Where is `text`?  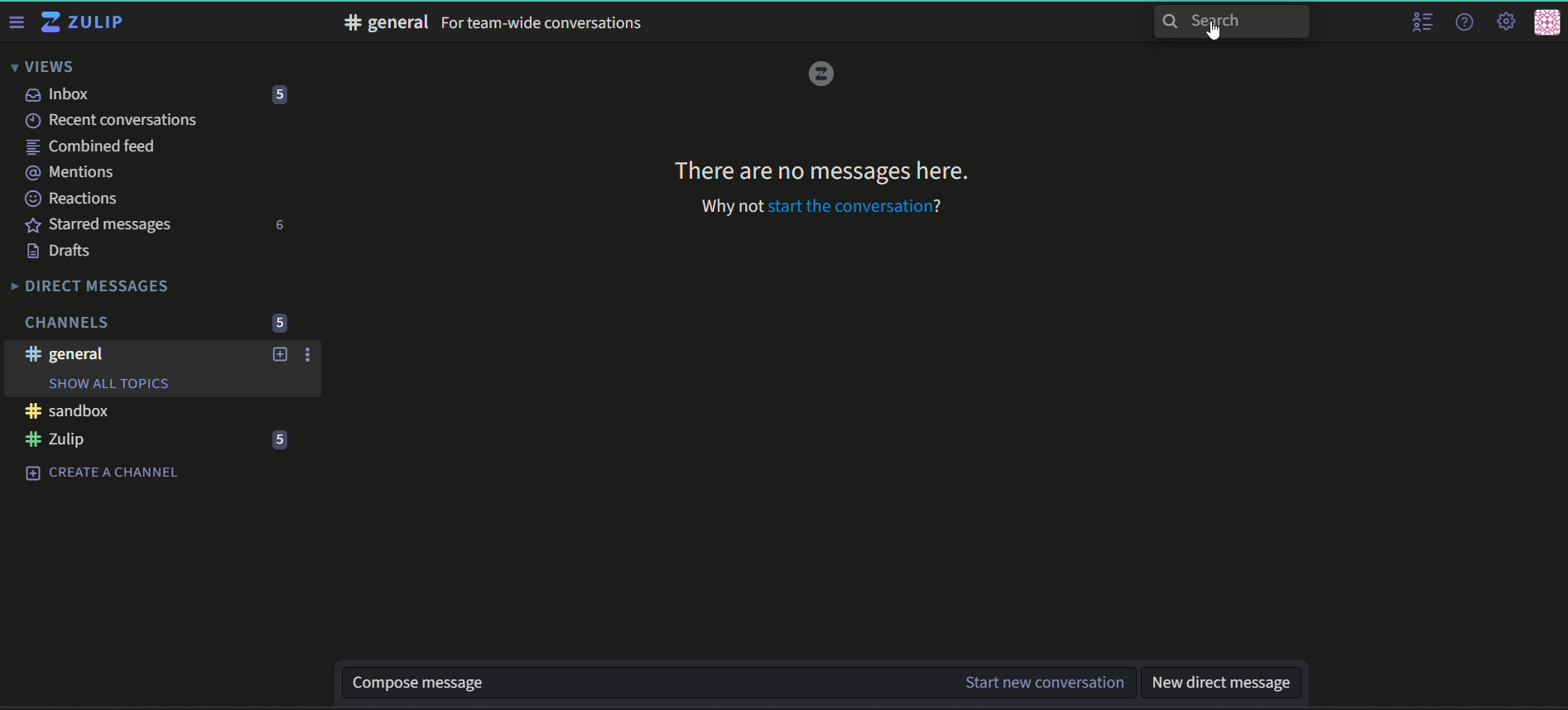
text is located at coordinates (821, 208).